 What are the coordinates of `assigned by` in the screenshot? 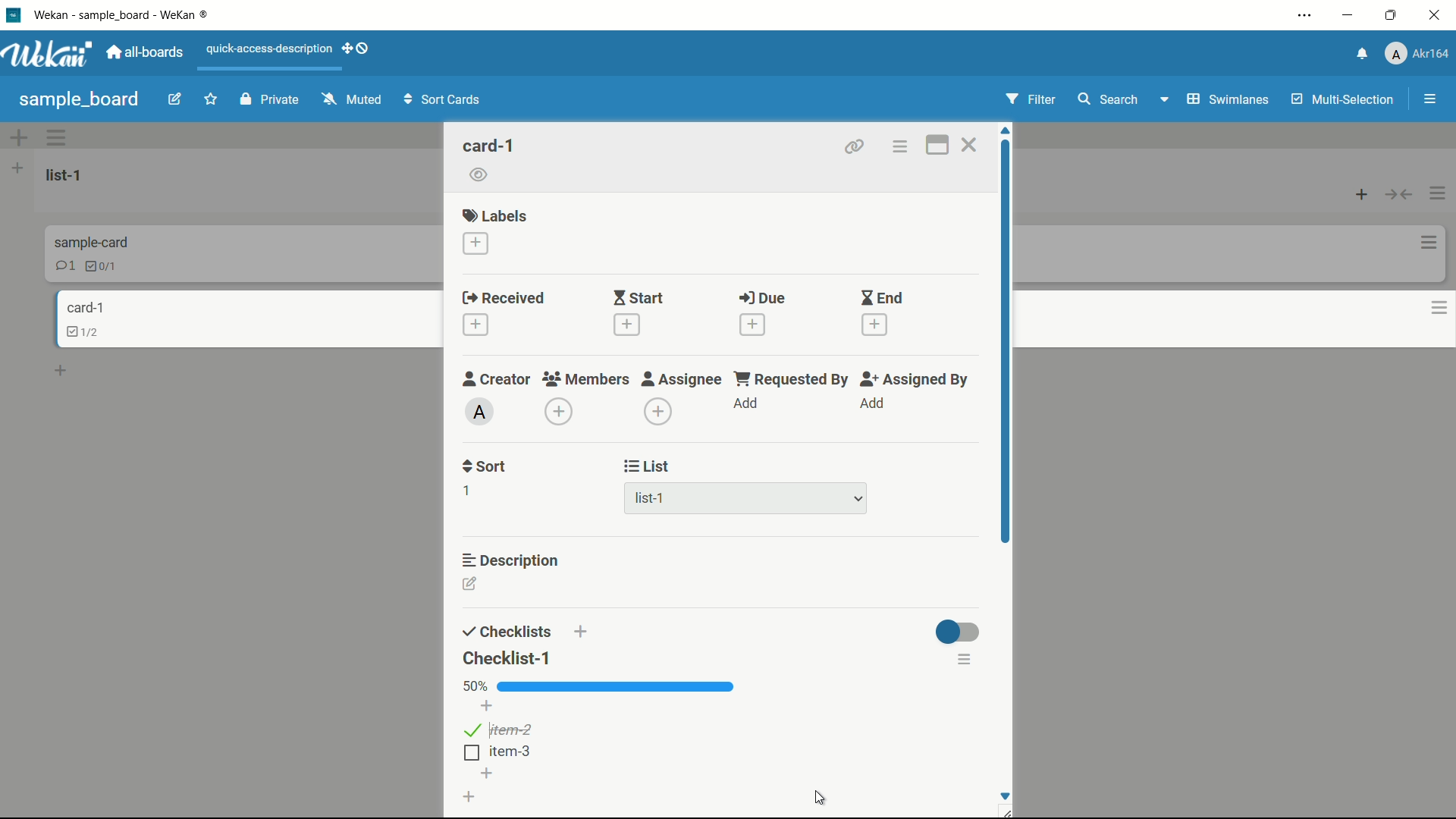 It's located at (915, 381).